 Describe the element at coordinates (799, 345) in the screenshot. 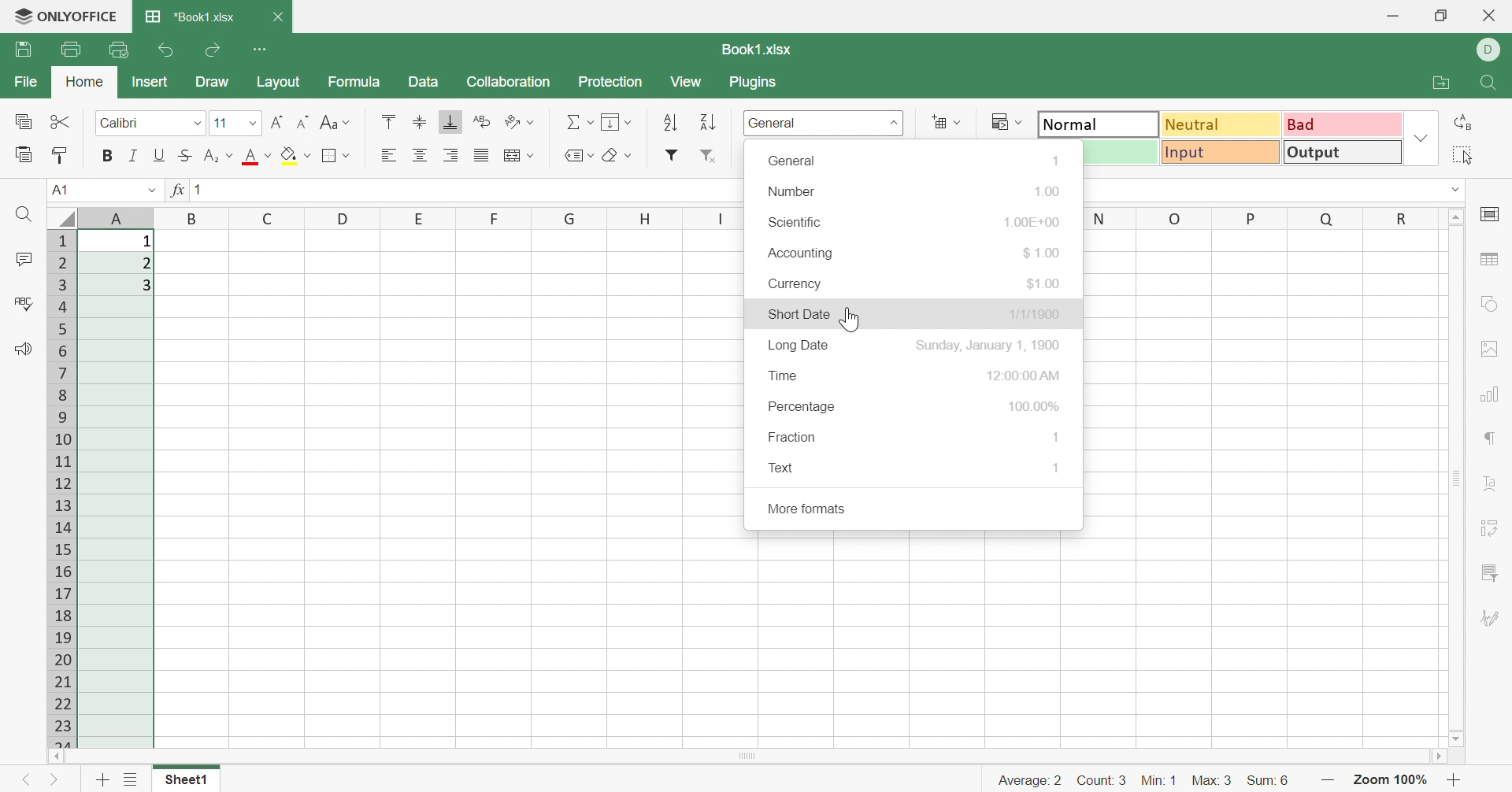

I see `Long date` at that location.